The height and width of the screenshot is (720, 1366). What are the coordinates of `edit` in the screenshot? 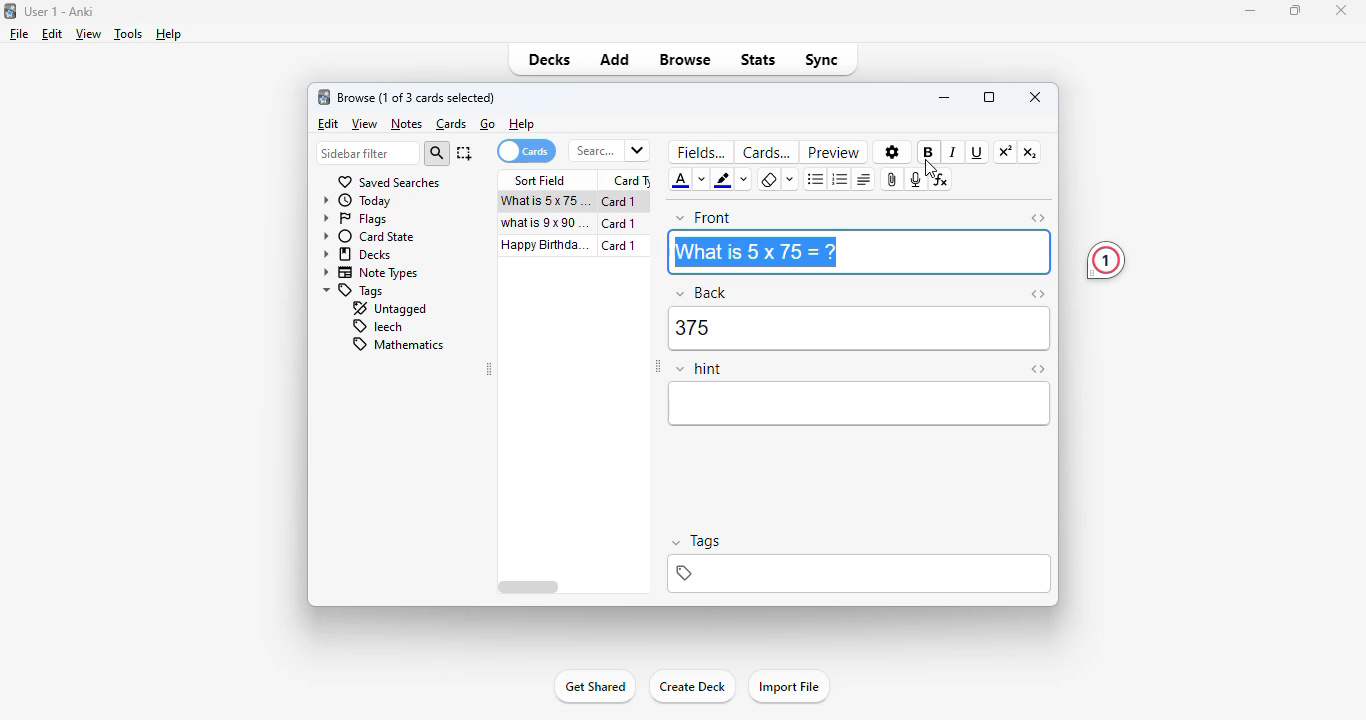 It's located at (328, 123).